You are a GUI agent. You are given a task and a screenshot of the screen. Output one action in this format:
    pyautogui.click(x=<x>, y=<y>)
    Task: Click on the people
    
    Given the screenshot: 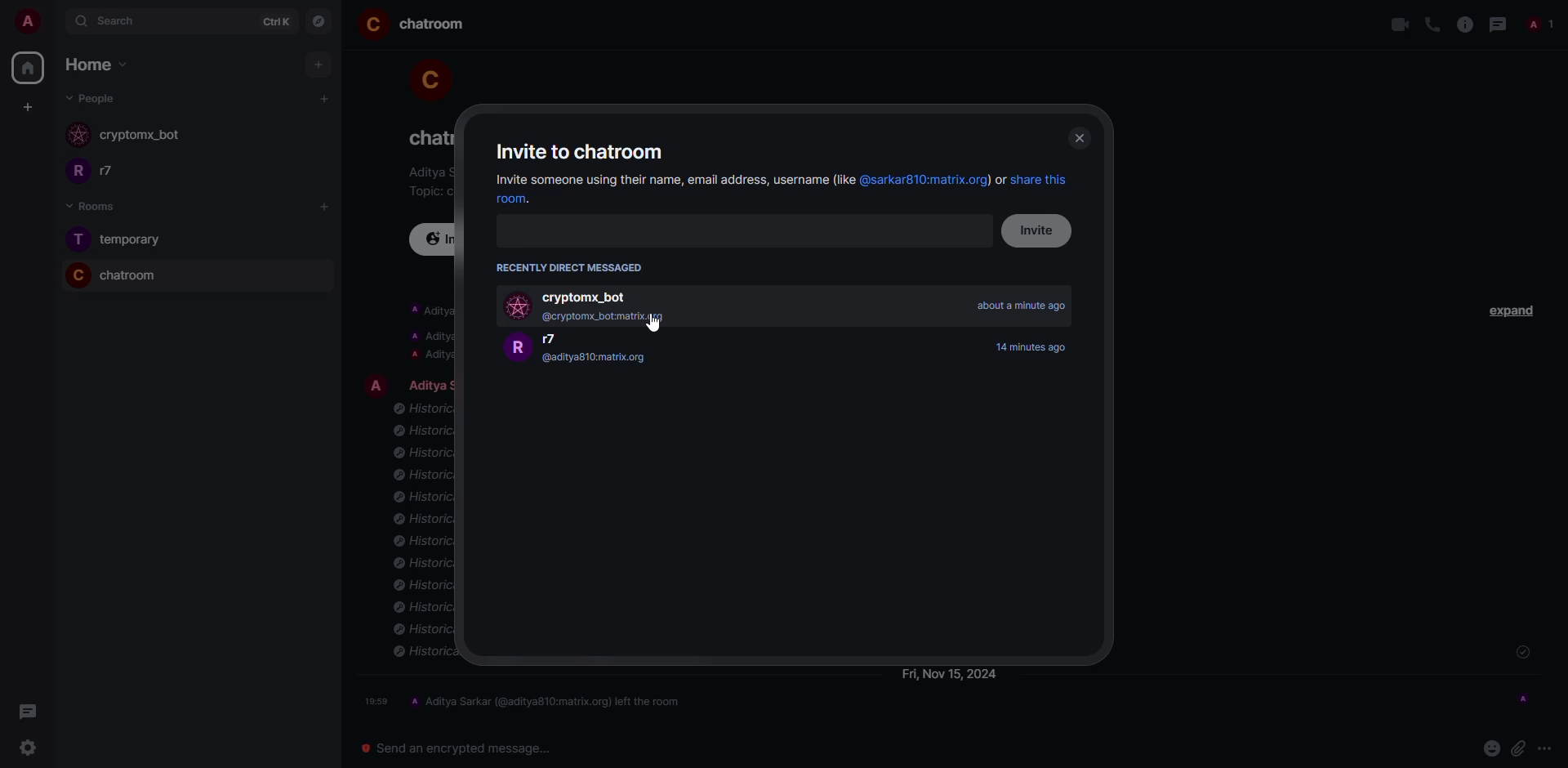 What is the action you would take?
    pyautogui.click(x=1537, y=26)
    